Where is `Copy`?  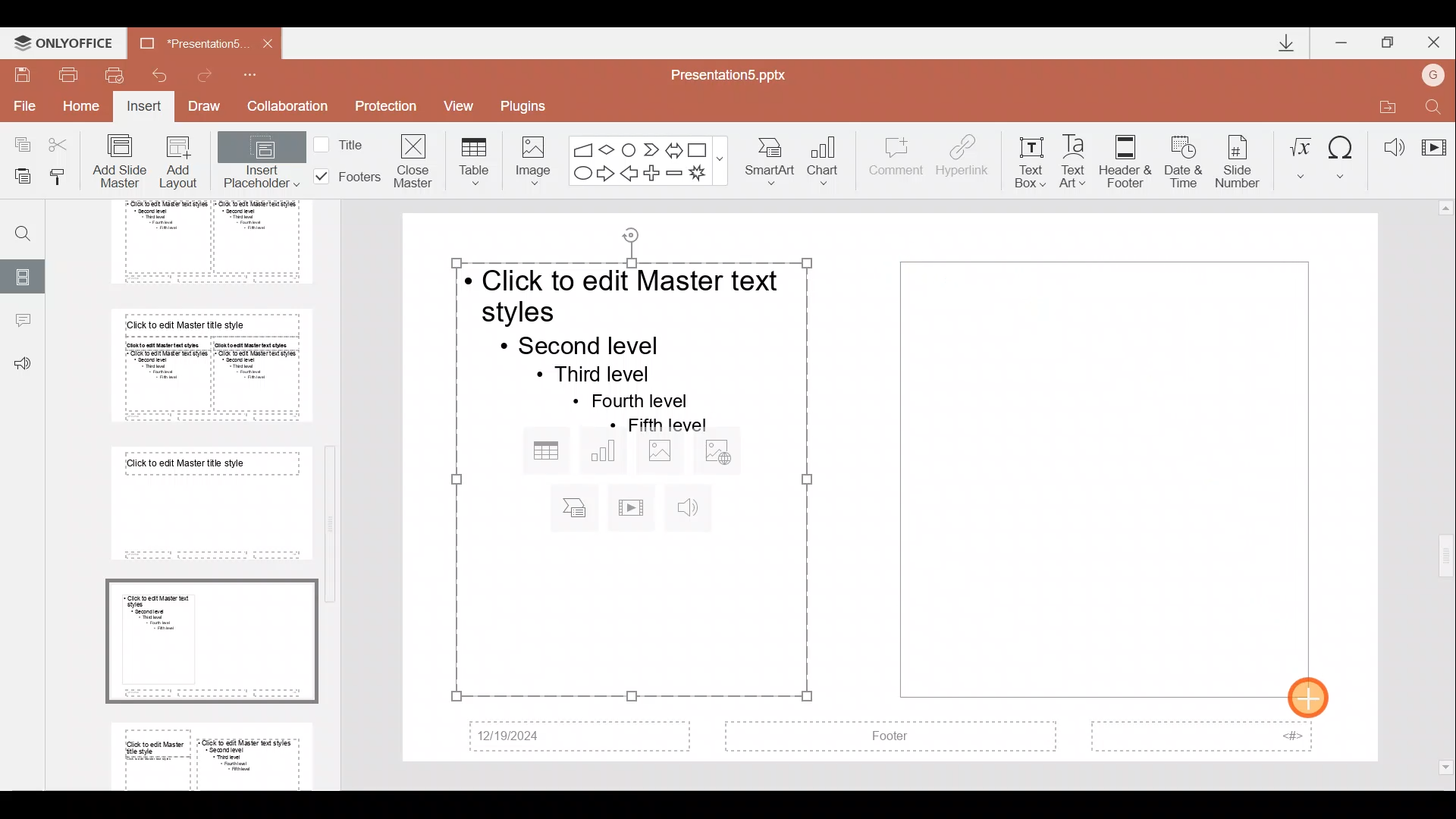 Copy is located at coordinates (17, 144).